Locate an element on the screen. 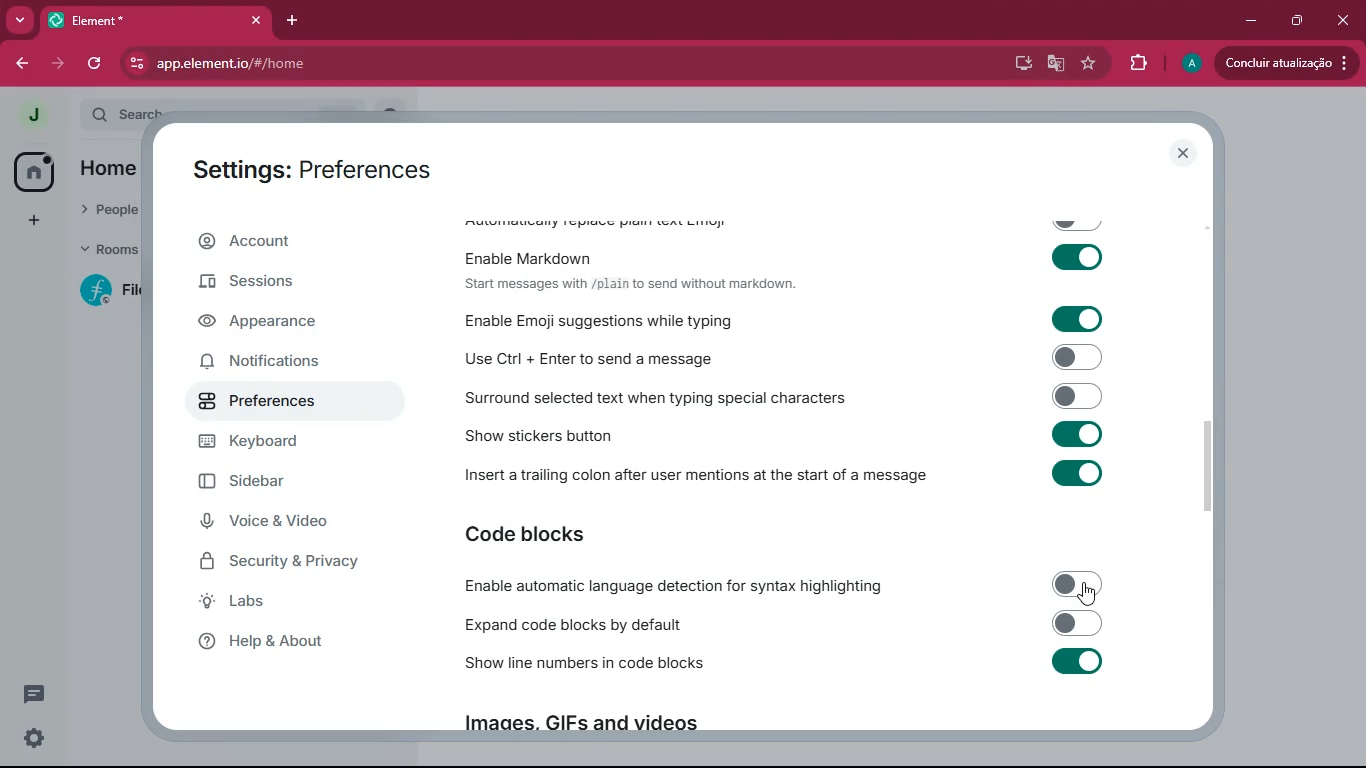  account is located at coordinates (290, 242).